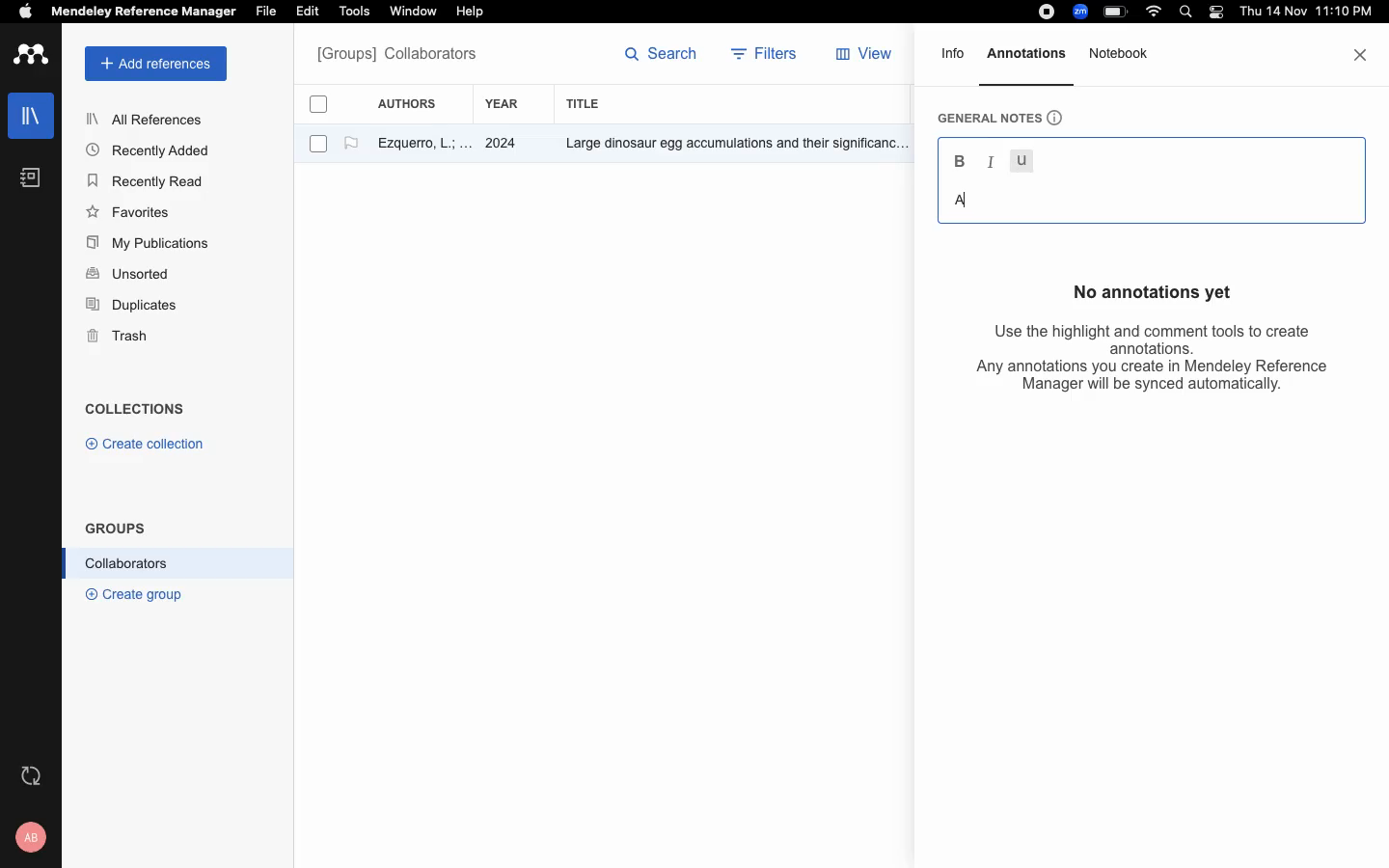 The height and width of the screenshot is (868, 1389). I want to click on No annotations yet, so click(1156, 291).